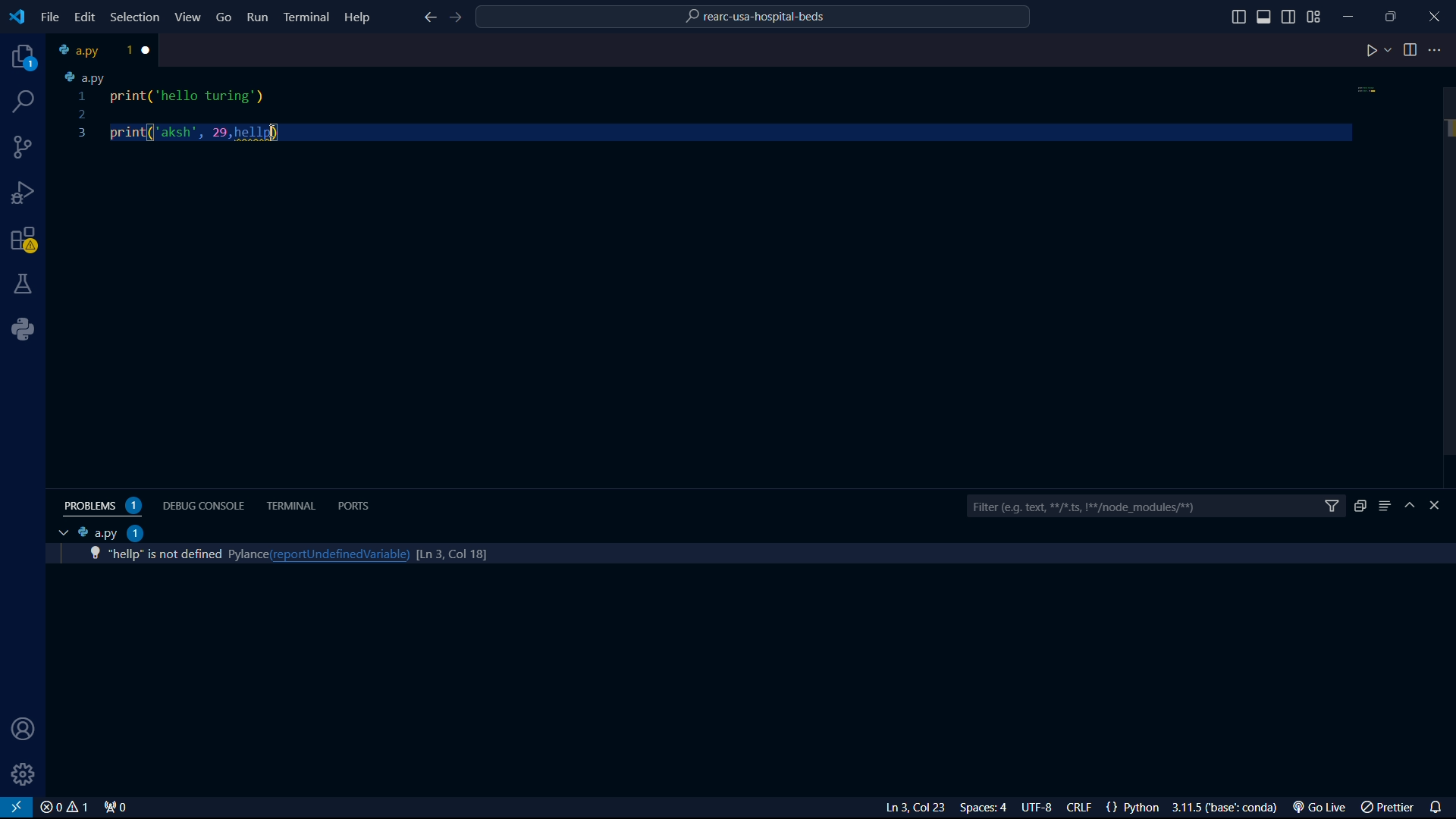 The width and height of the screenshot is (1456, 819). What do you see at coordinates (19, 730) in the screenshot?
I see `user` at bounding box center [19, 730].